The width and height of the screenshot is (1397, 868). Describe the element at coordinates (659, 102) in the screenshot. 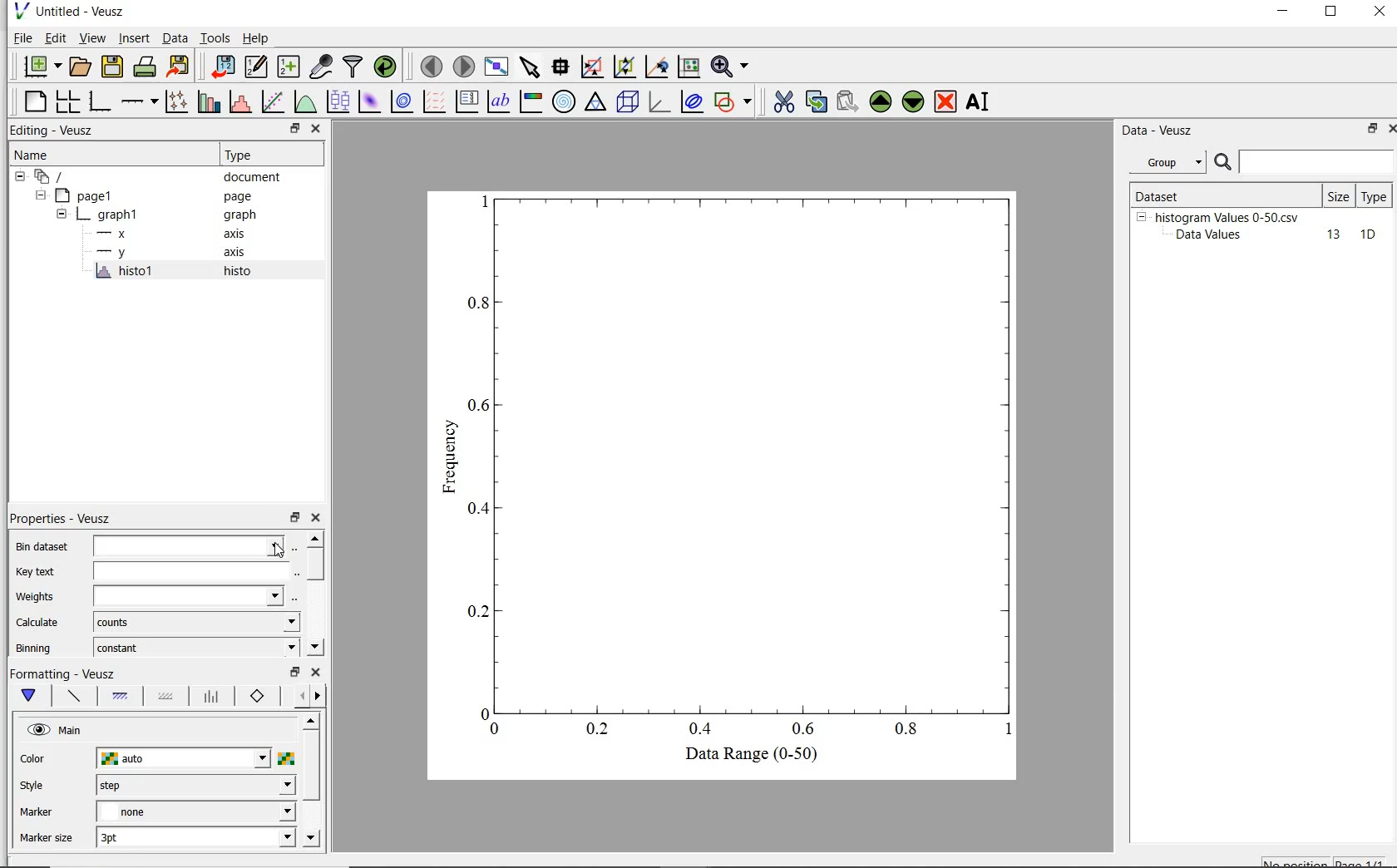

I see `3d graph` at that location.